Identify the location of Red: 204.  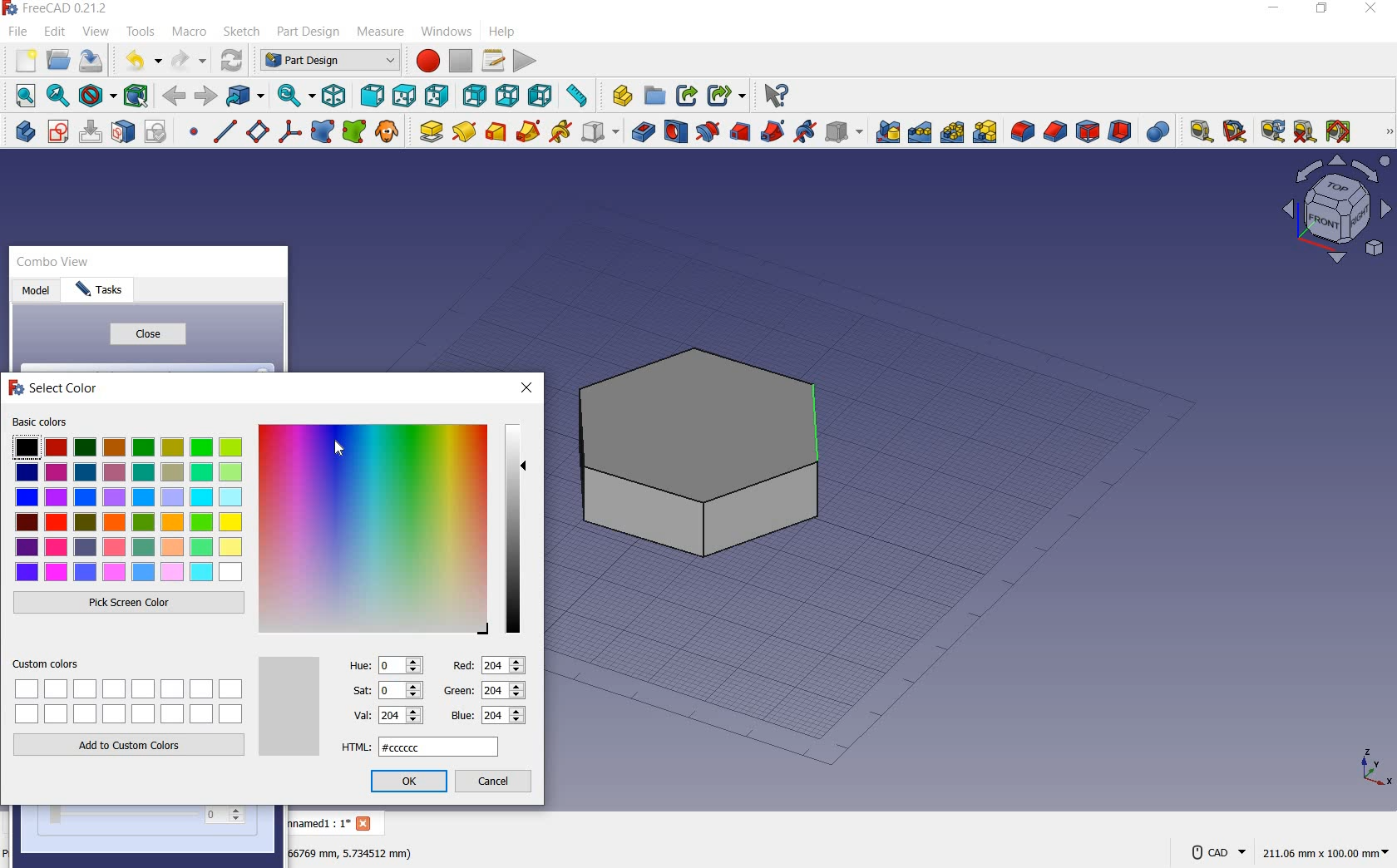
(487, 664).